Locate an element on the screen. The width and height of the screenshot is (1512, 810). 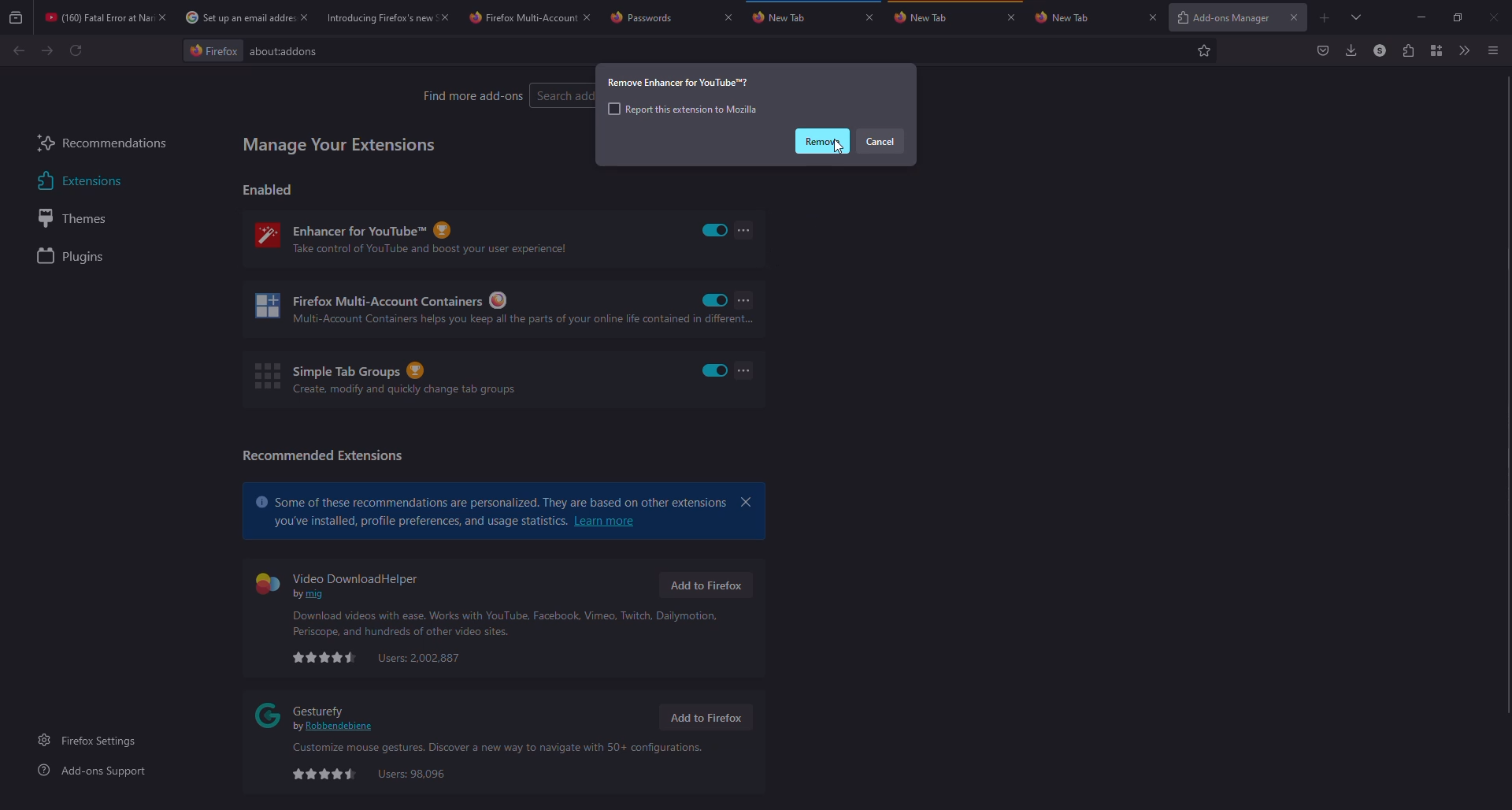
close is located at coordinates (1011, 17).